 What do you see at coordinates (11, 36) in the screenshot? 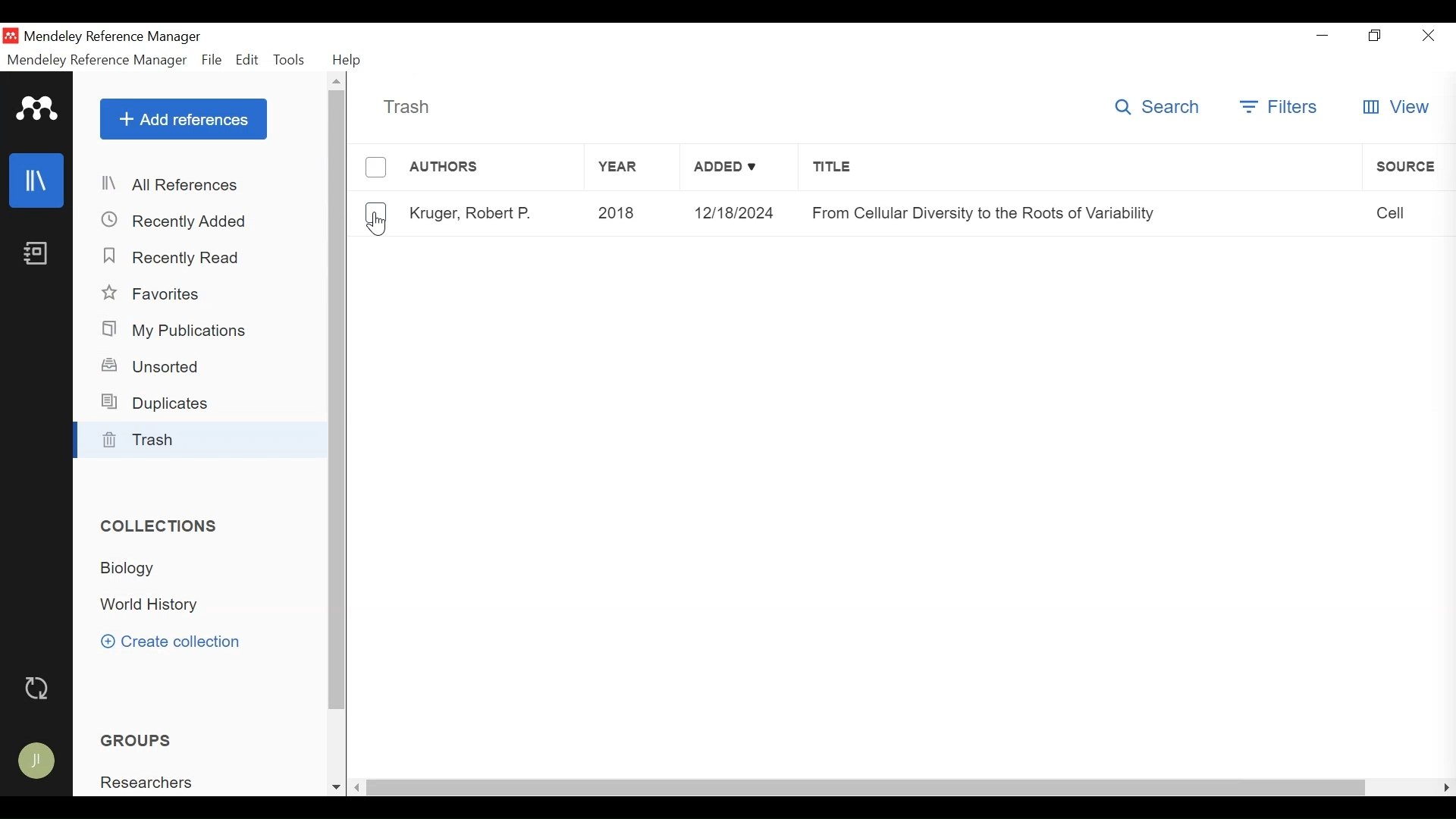
I see `Mendeley Desktop Icon` at bounding box center [11, 36].